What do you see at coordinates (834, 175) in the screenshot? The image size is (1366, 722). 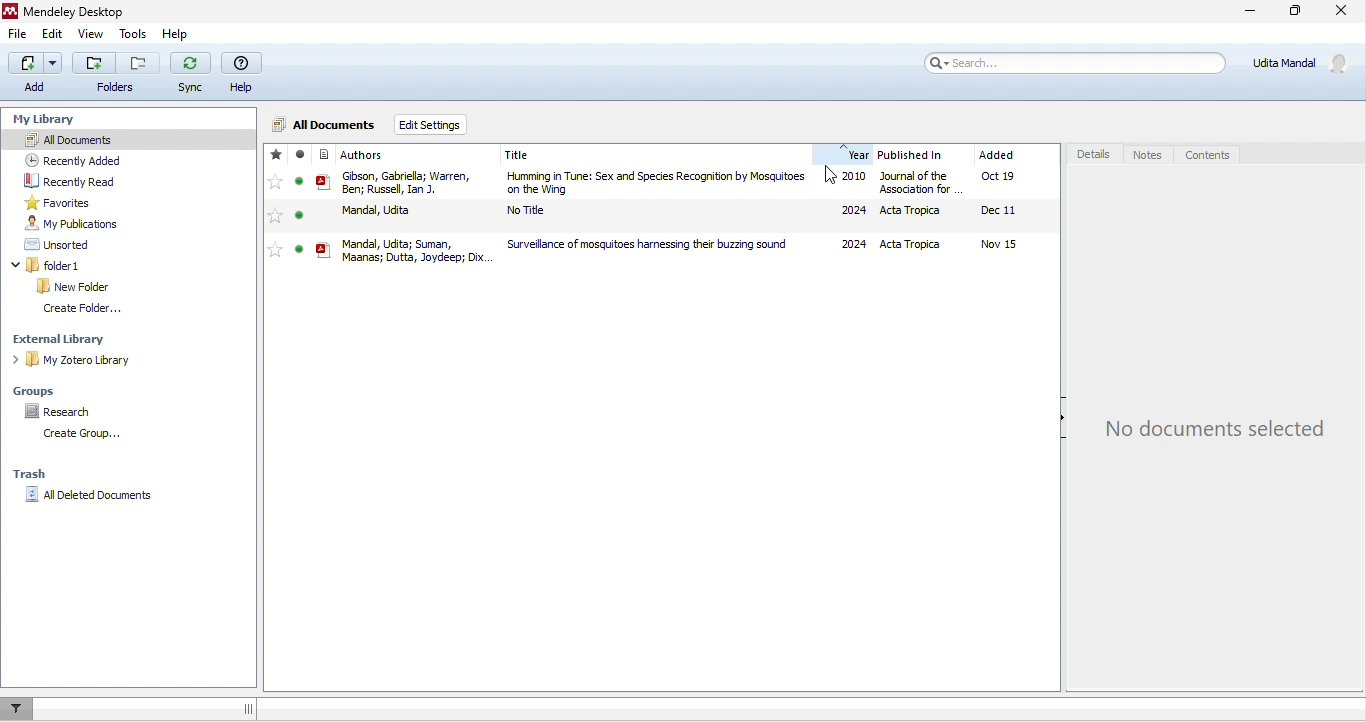 I see `cursor` at bounding box center [834, 175].